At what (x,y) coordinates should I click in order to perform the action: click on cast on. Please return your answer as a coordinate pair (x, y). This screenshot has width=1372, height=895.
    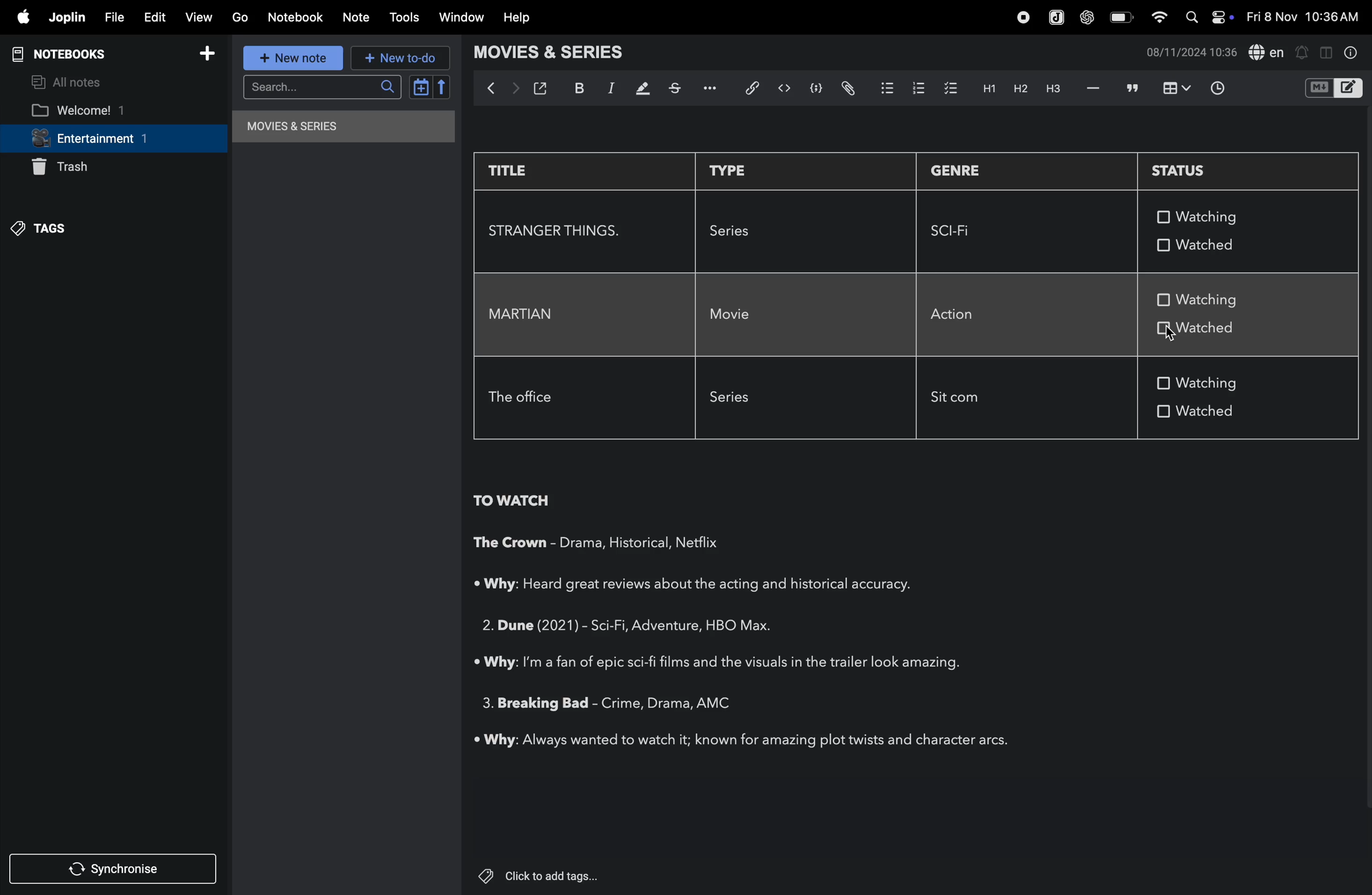
    Looking at the image, I should click on (721, 702).